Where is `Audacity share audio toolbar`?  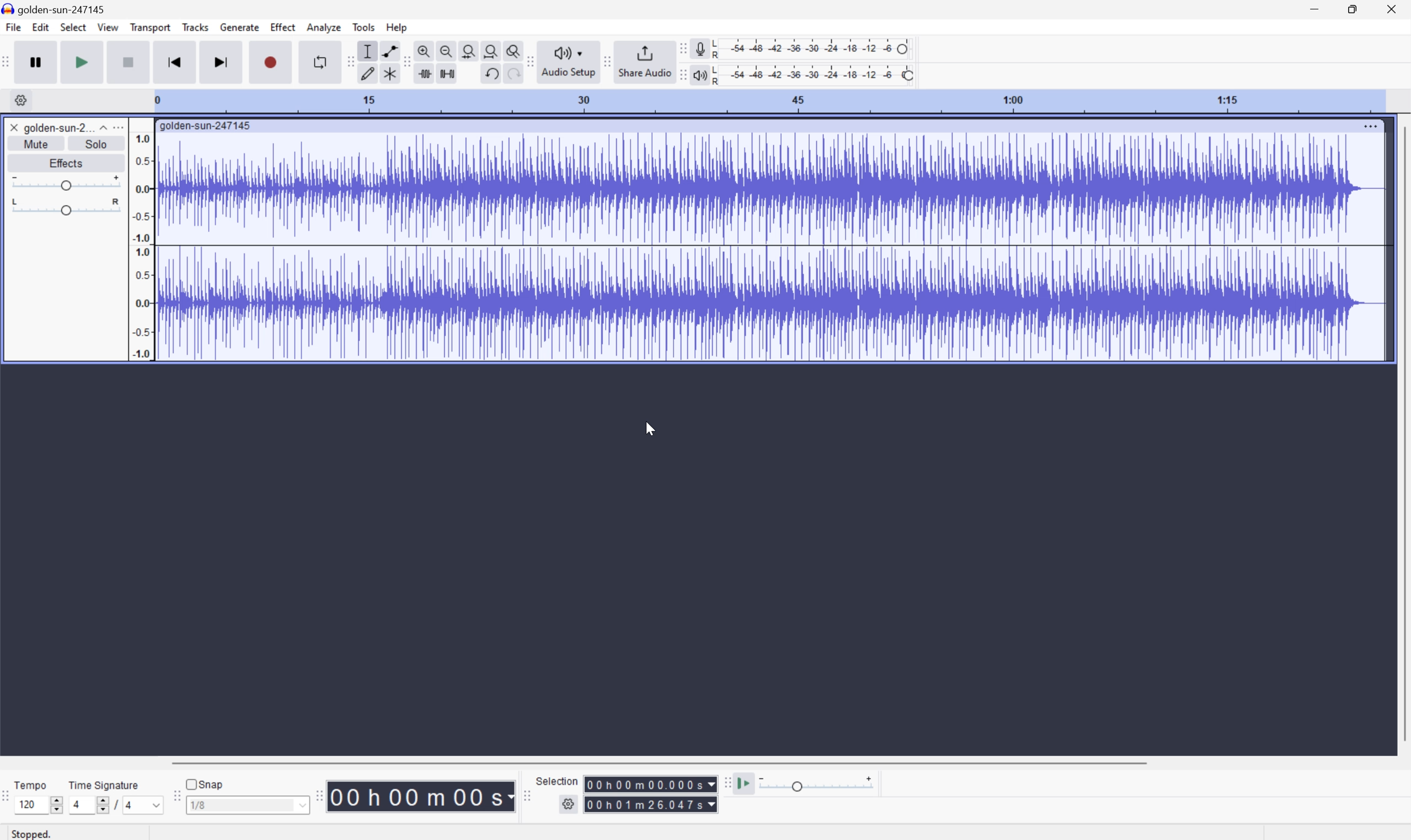
Audacity share audio toolbar is located at coordinates (608, 61).